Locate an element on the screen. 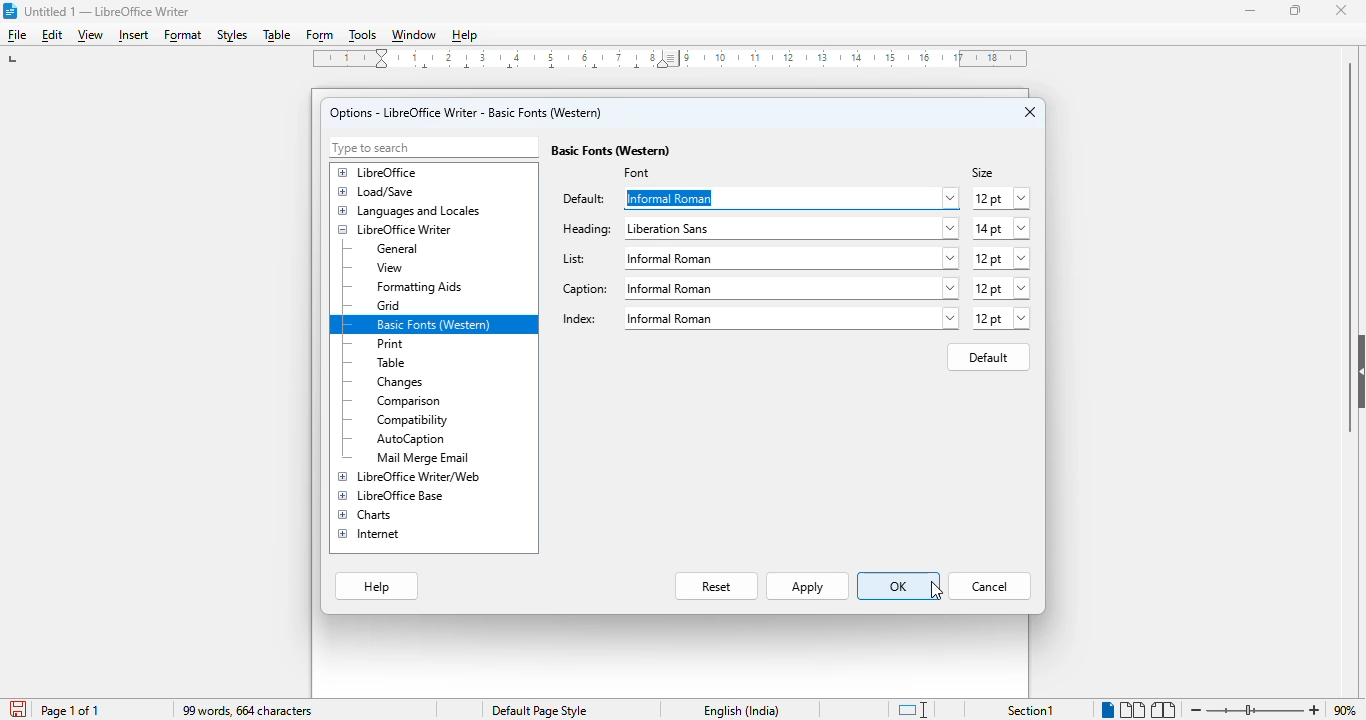 The height and width of the screenshot is (720, 1366). center tab is located at coordinates (424, 70).